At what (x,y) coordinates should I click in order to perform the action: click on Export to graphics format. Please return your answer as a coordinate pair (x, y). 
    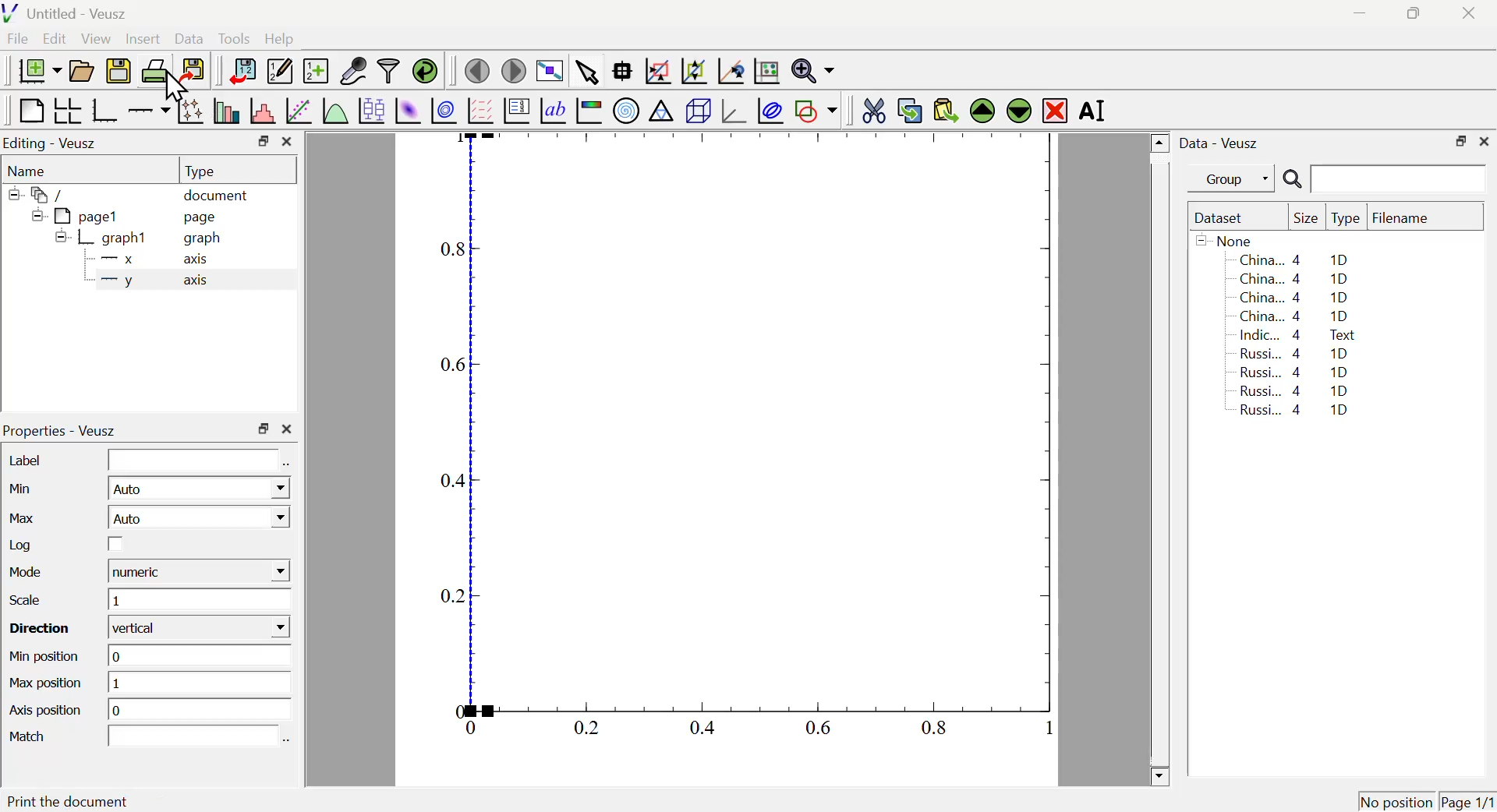
    Looking at the image, I should click on (193, 69).